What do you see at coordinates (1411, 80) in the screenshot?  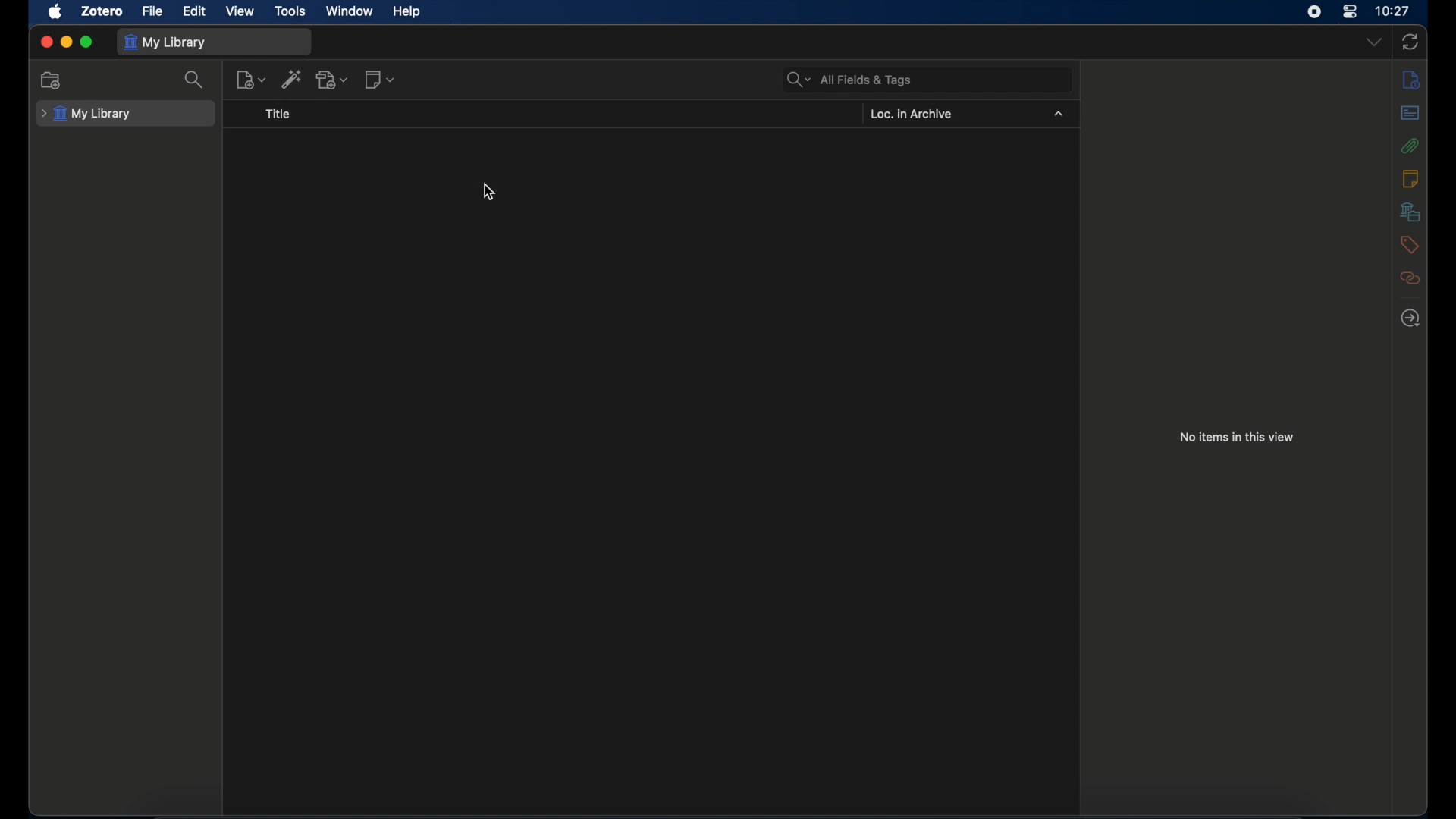 I see `notes` at bounding box center [1411, 80].